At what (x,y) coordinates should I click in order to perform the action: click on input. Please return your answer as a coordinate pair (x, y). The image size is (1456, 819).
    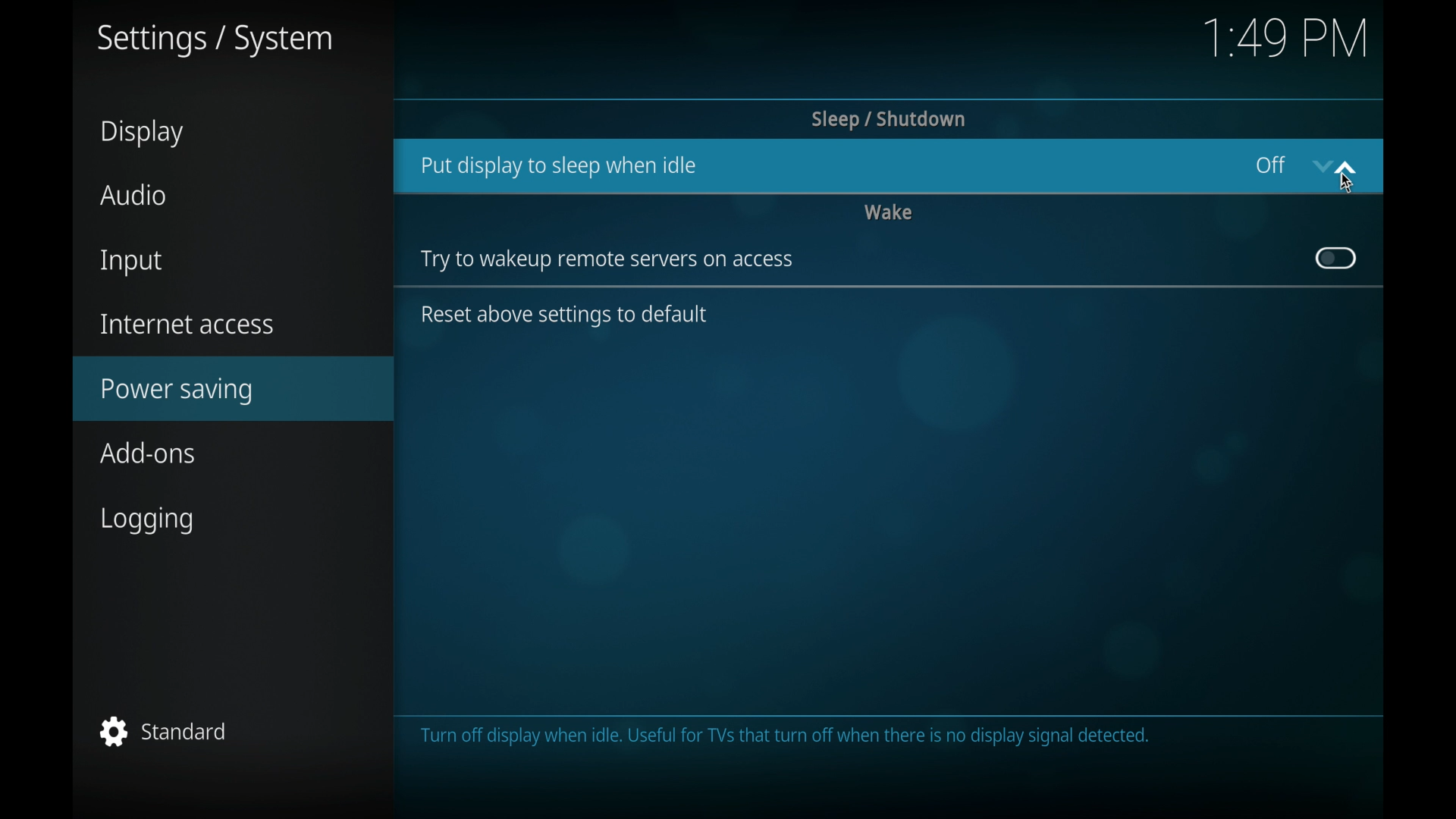
    Looking at the image, I should click on (129, 262).